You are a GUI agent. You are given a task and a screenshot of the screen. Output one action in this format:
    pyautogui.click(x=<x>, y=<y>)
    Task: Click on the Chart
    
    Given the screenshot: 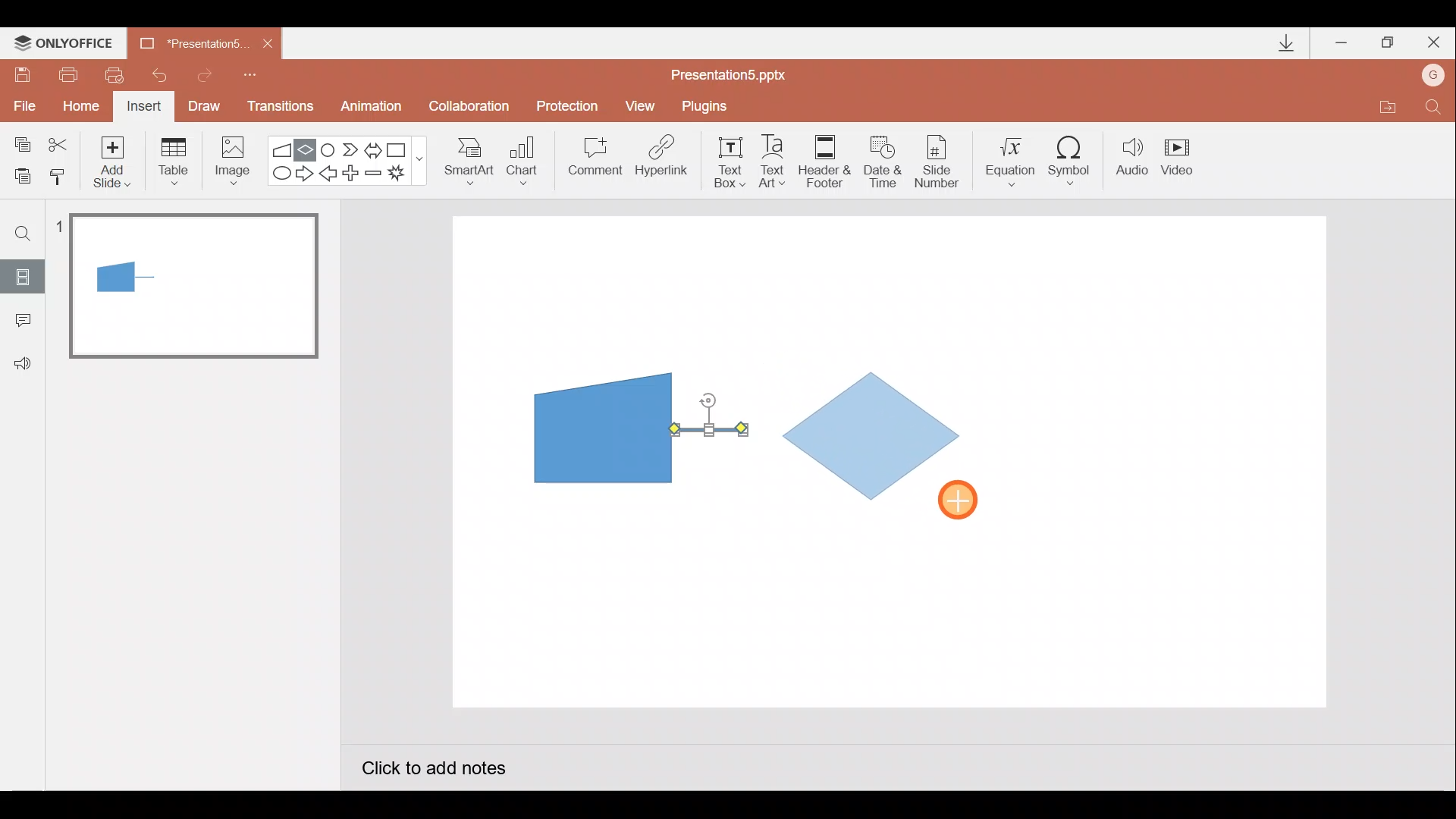 What is the action you would take?
    pyautogui.click(x=522, y=158)
    